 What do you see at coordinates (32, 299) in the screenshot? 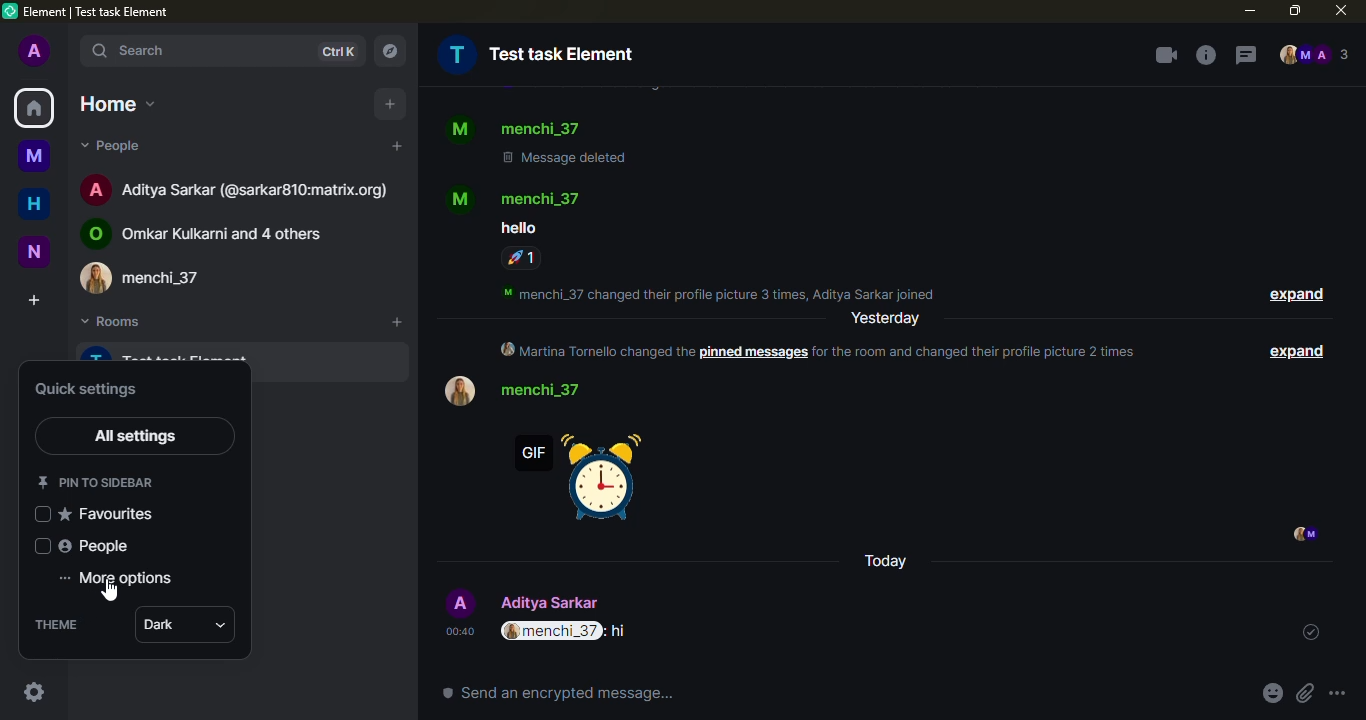
I see `create a space` at bounding box center [32, 299].